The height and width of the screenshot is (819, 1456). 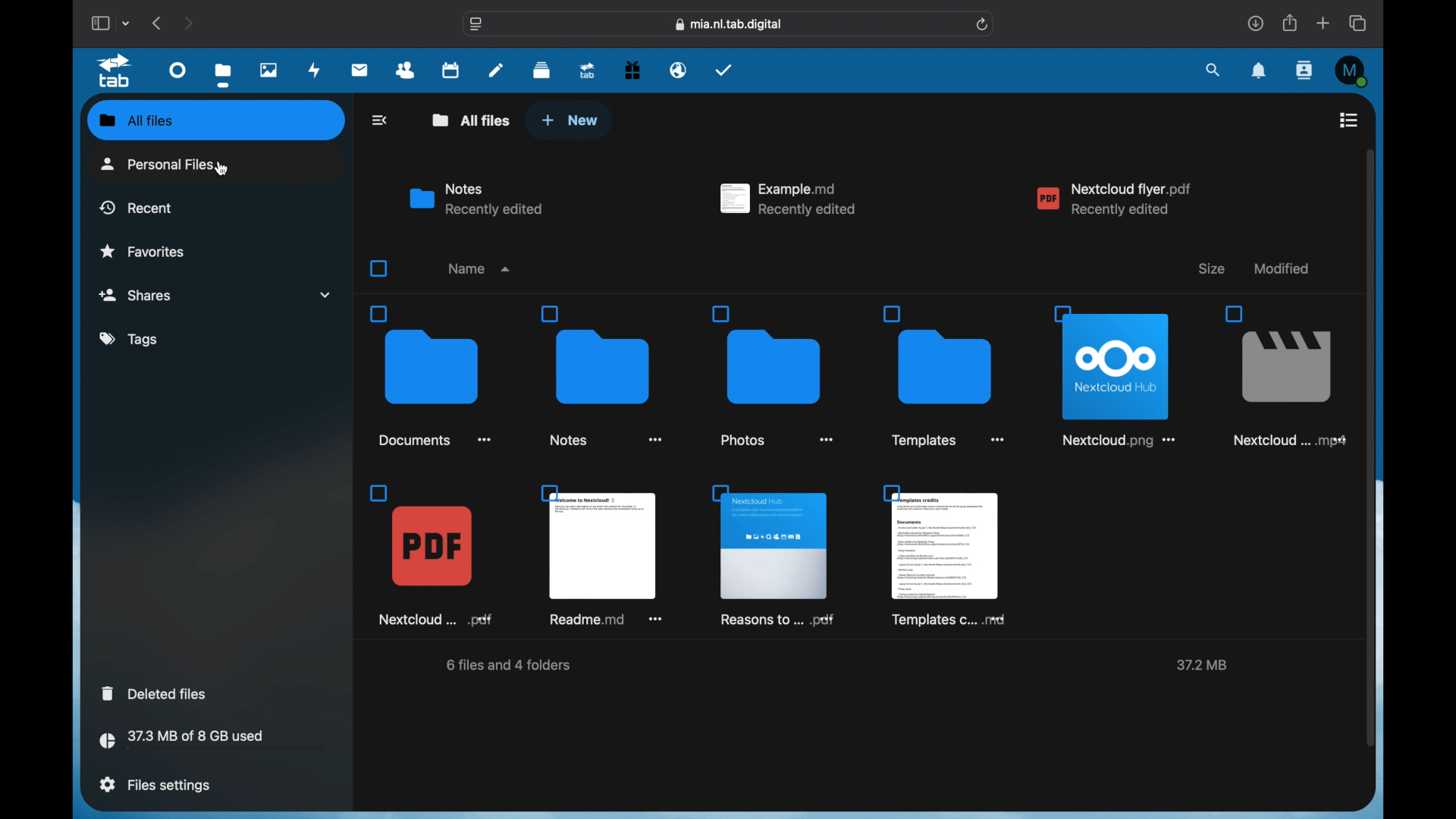 What do you see at coordinates (118, 71) in the screenshot?
I see `tab` at bounding box center [118, 71].